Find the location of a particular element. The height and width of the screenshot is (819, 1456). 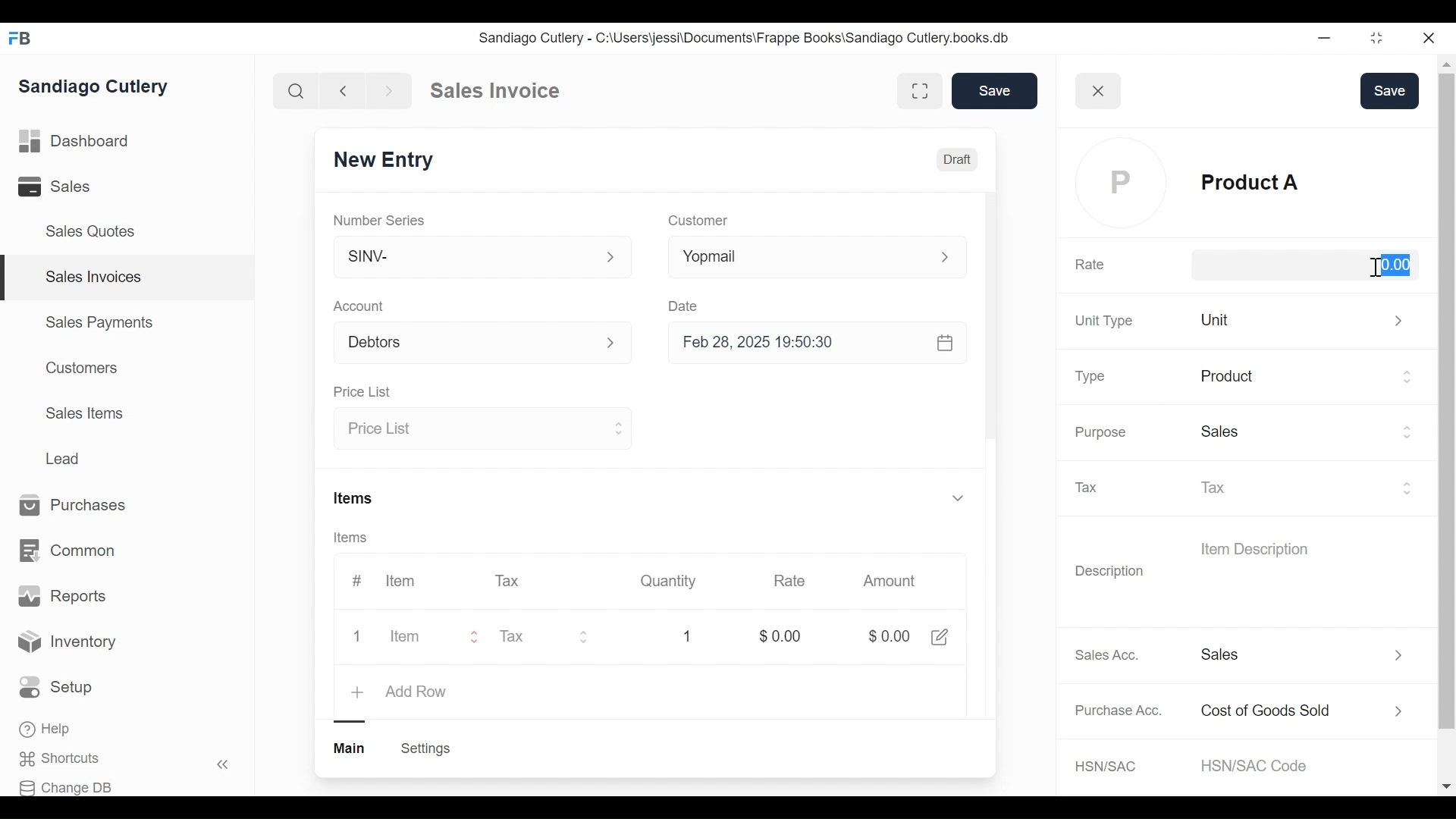

Unit Type is located at coordinates (1104, 322).